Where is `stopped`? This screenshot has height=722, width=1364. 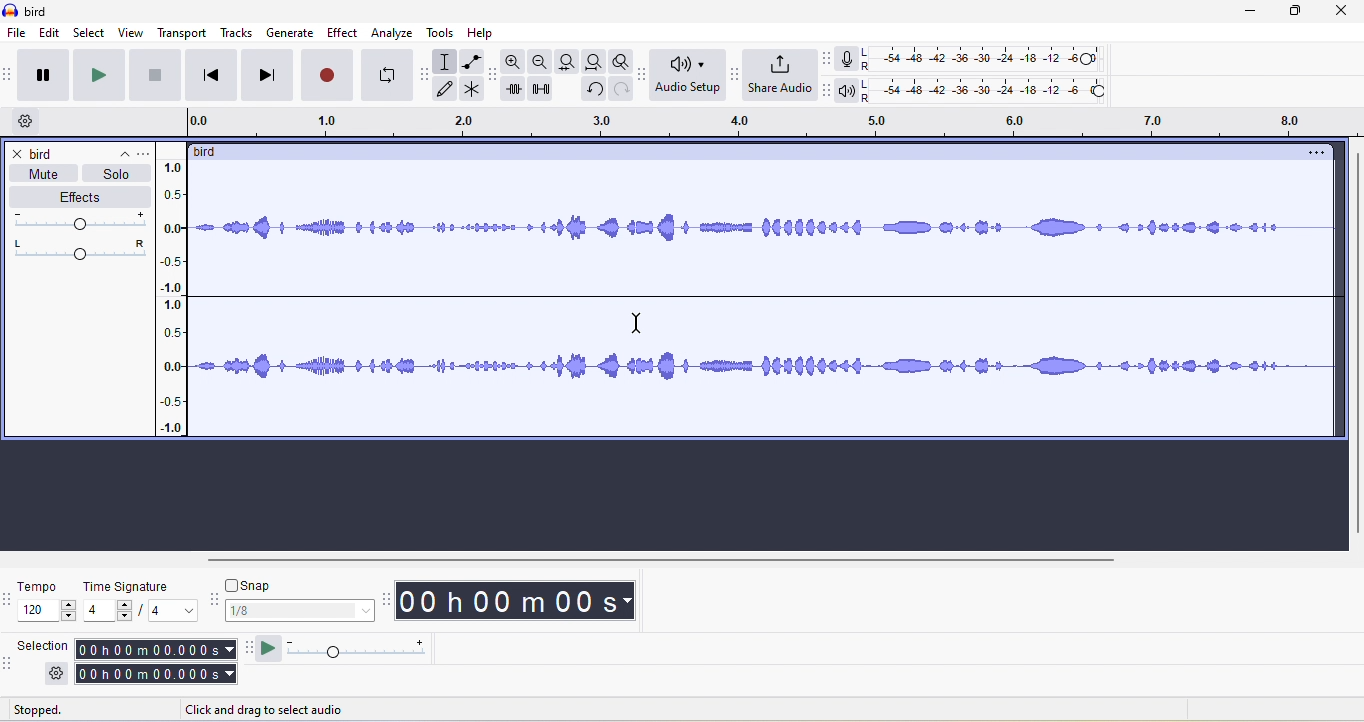
stopped is located at coordinates (59, 711).